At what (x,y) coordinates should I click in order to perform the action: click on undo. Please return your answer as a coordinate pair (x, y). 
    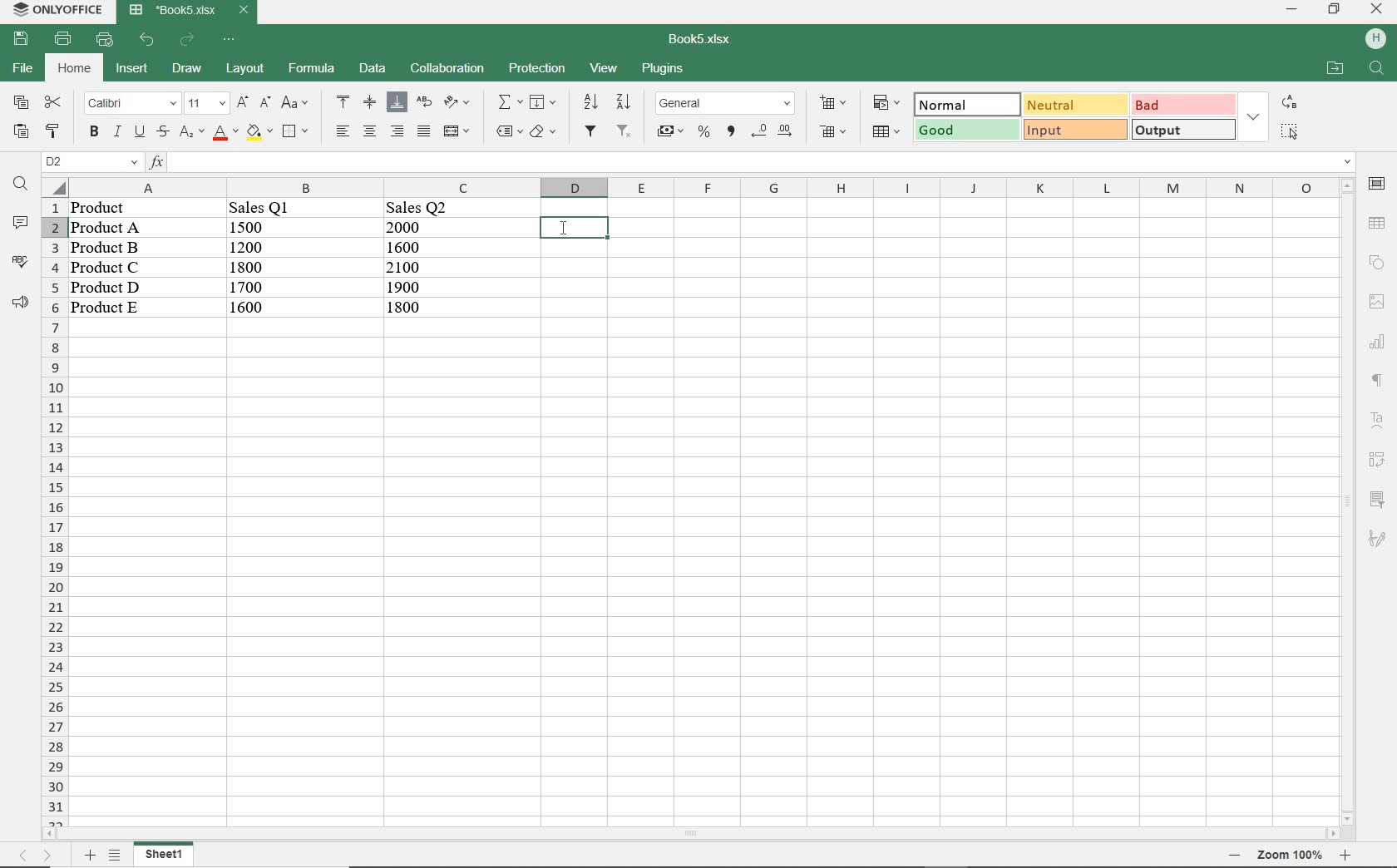
    Looking at the image, I should click on (146, 40).